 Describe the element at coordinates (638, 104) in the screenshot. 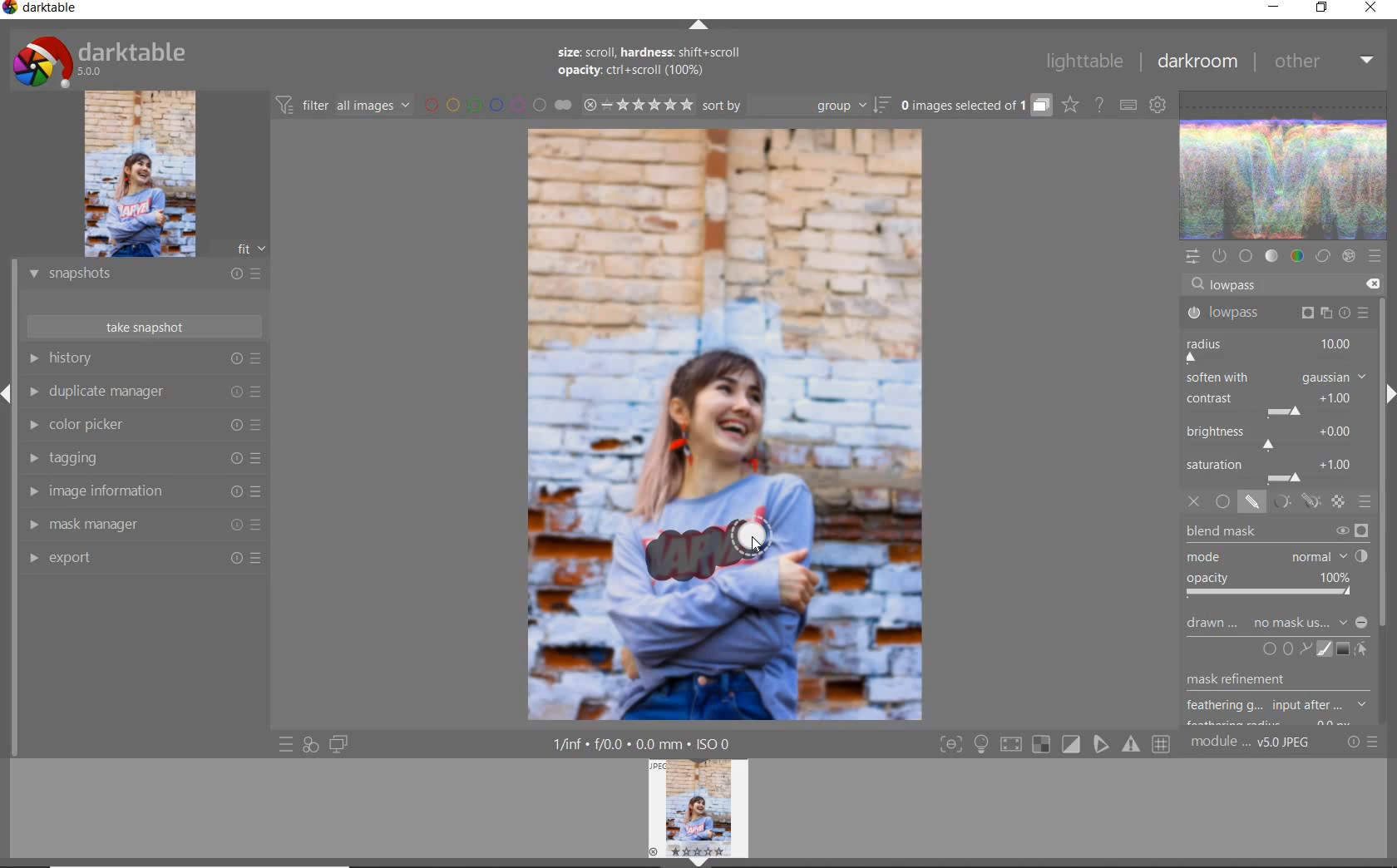

I see `range ratings for selected images` at that location.